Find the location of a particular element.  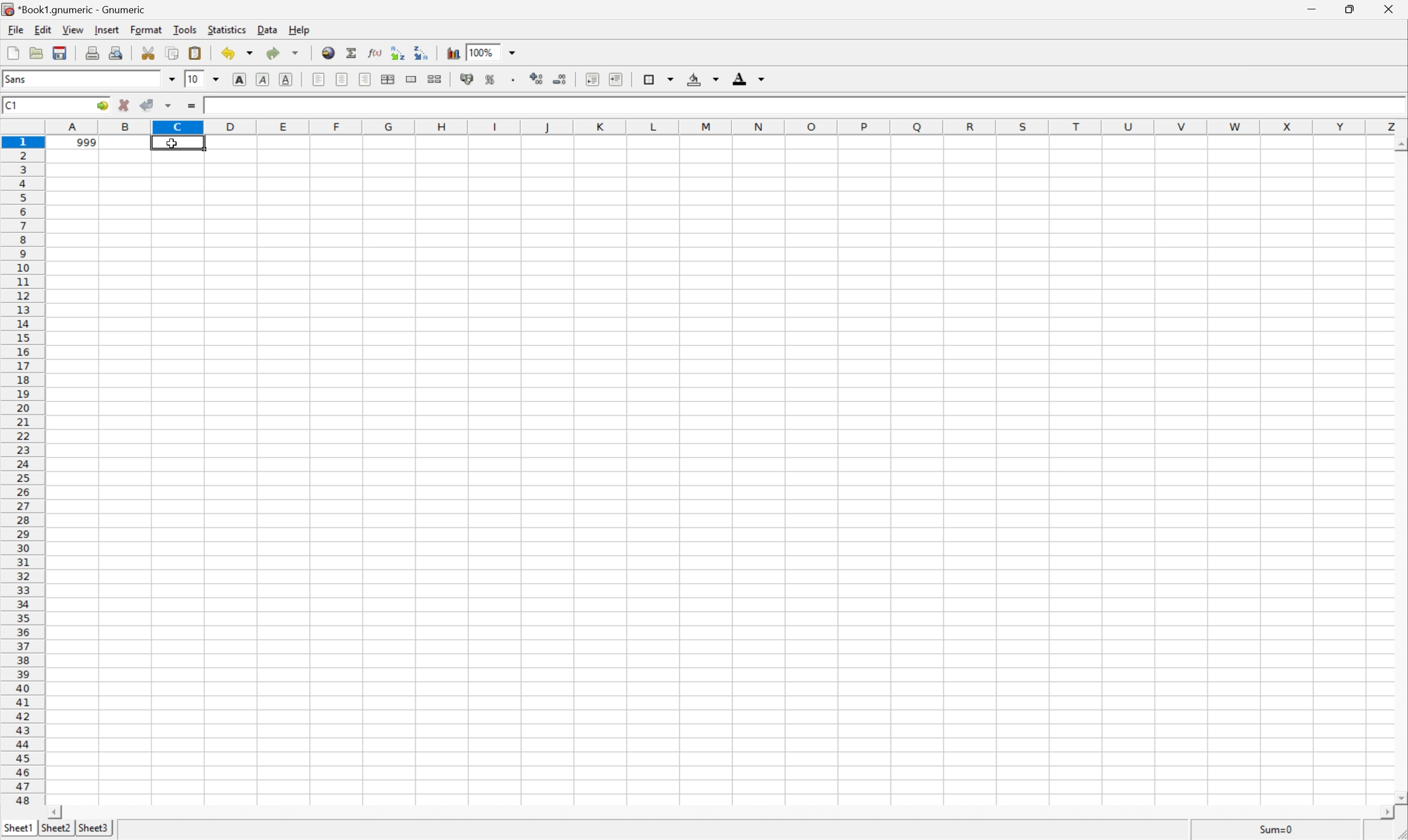

foreground is located at coordinates (749, 78).